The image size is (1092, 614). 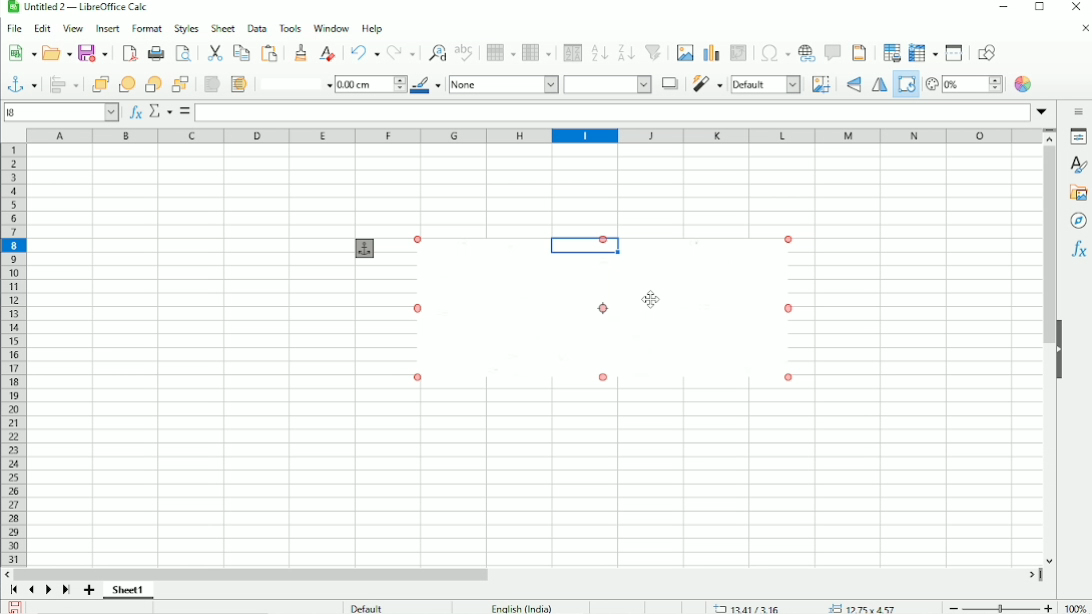 I want to click on Window, so click(x=331, y=26).